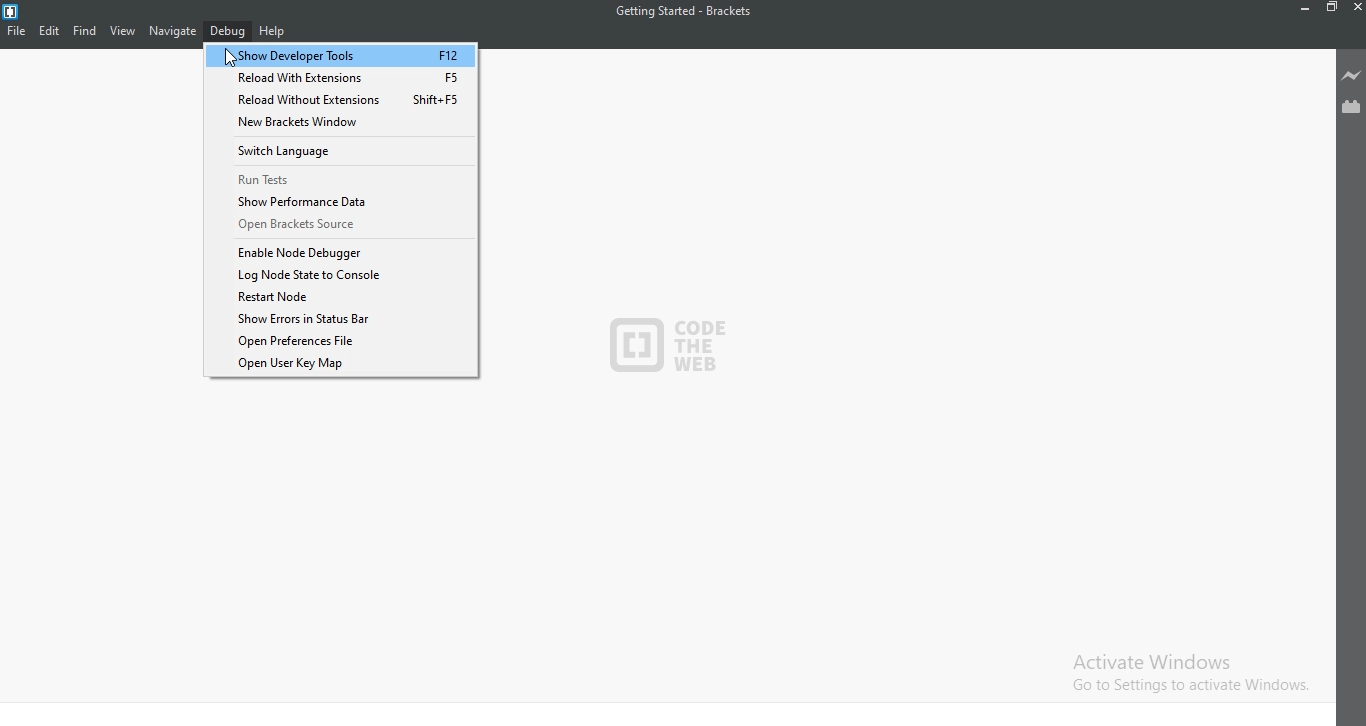  Describe the element at coordinates (50, 31) in the screenshot. I see `Edit` at that location.